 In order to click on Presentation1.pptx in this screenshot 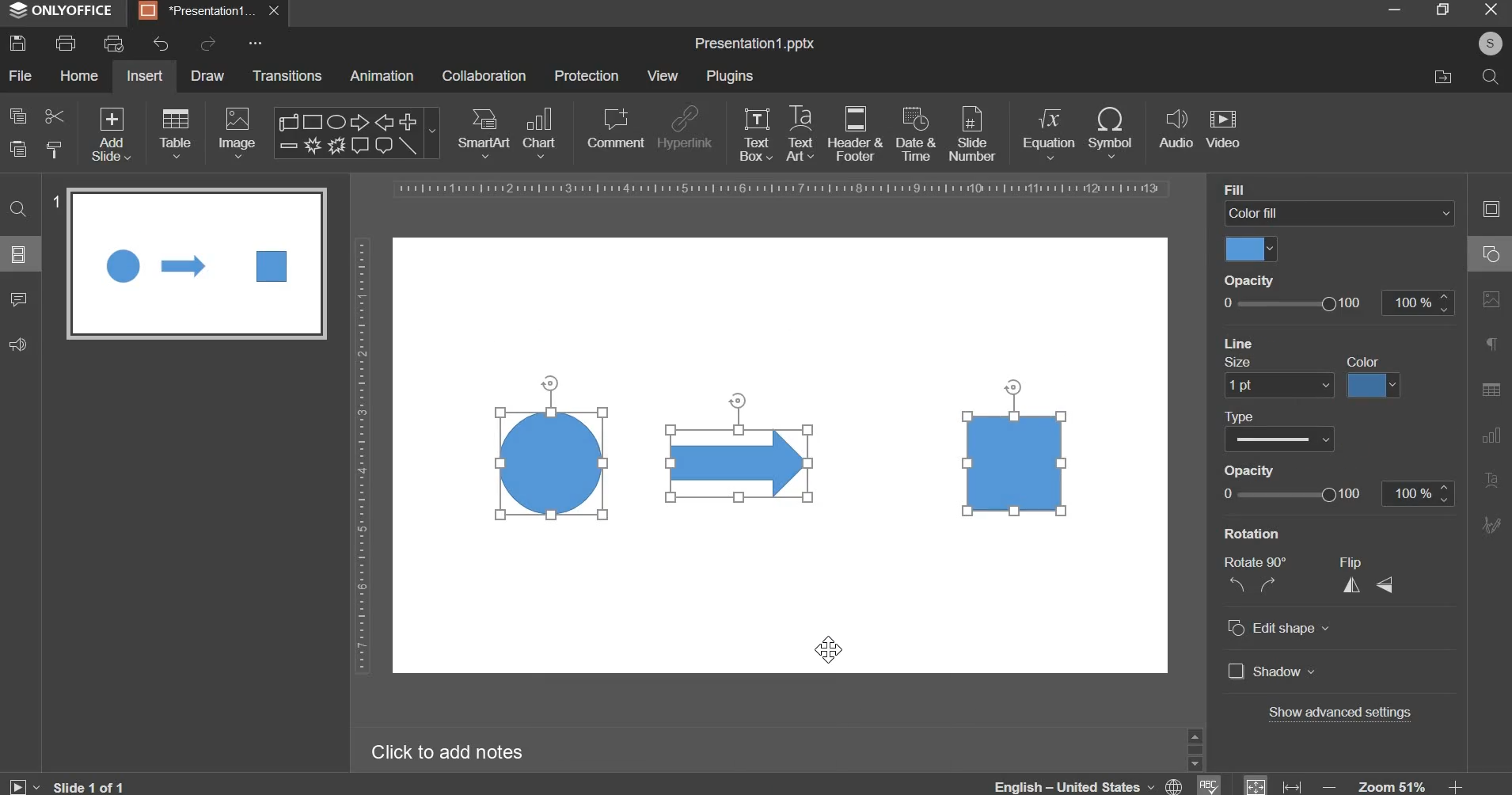, I will do `click(754, 44)`.